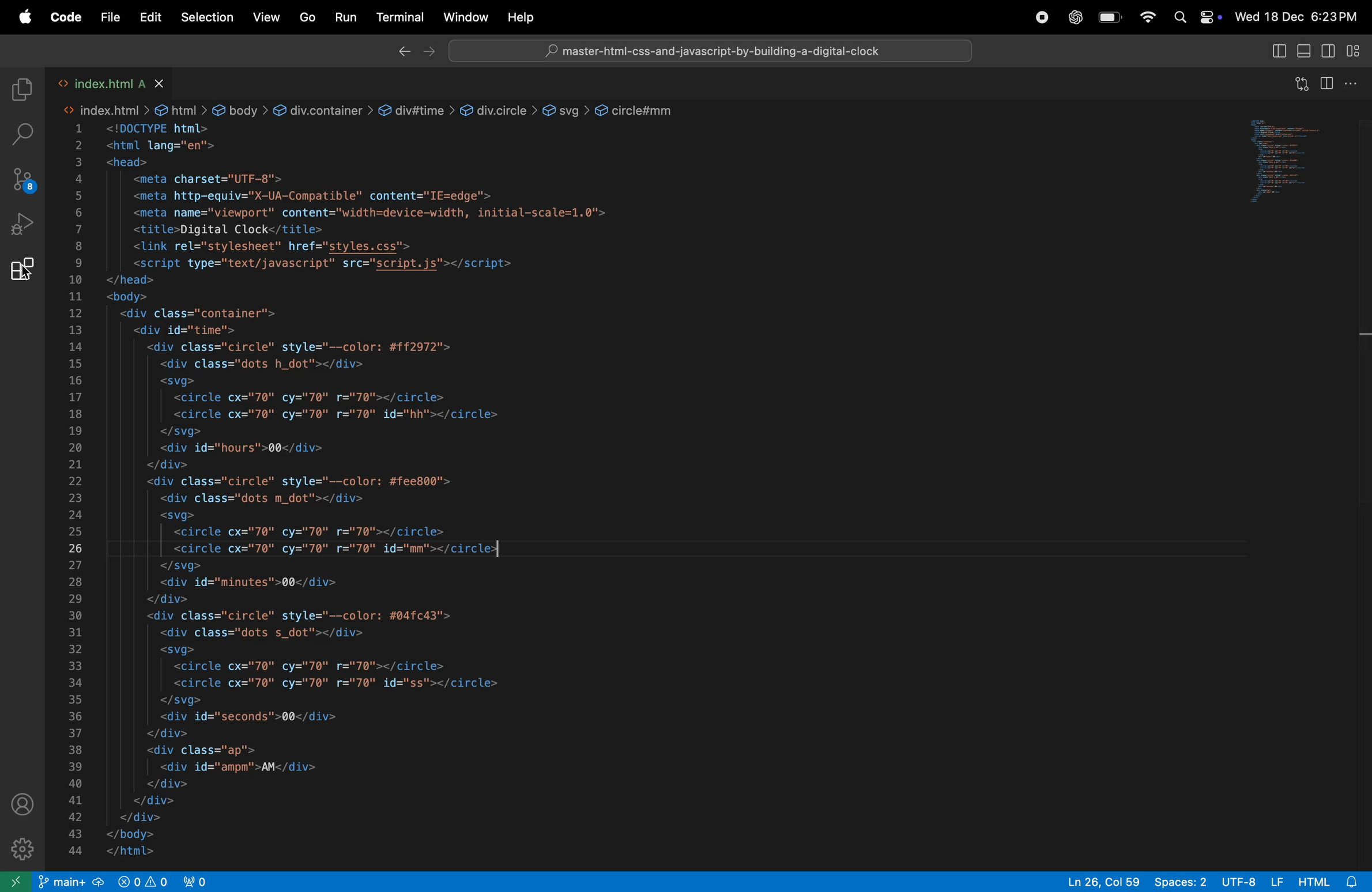  What do you see at coordinates (1305, 52) in the screenshot?
I see `toggle panel` at bounding box center [1305, 52].